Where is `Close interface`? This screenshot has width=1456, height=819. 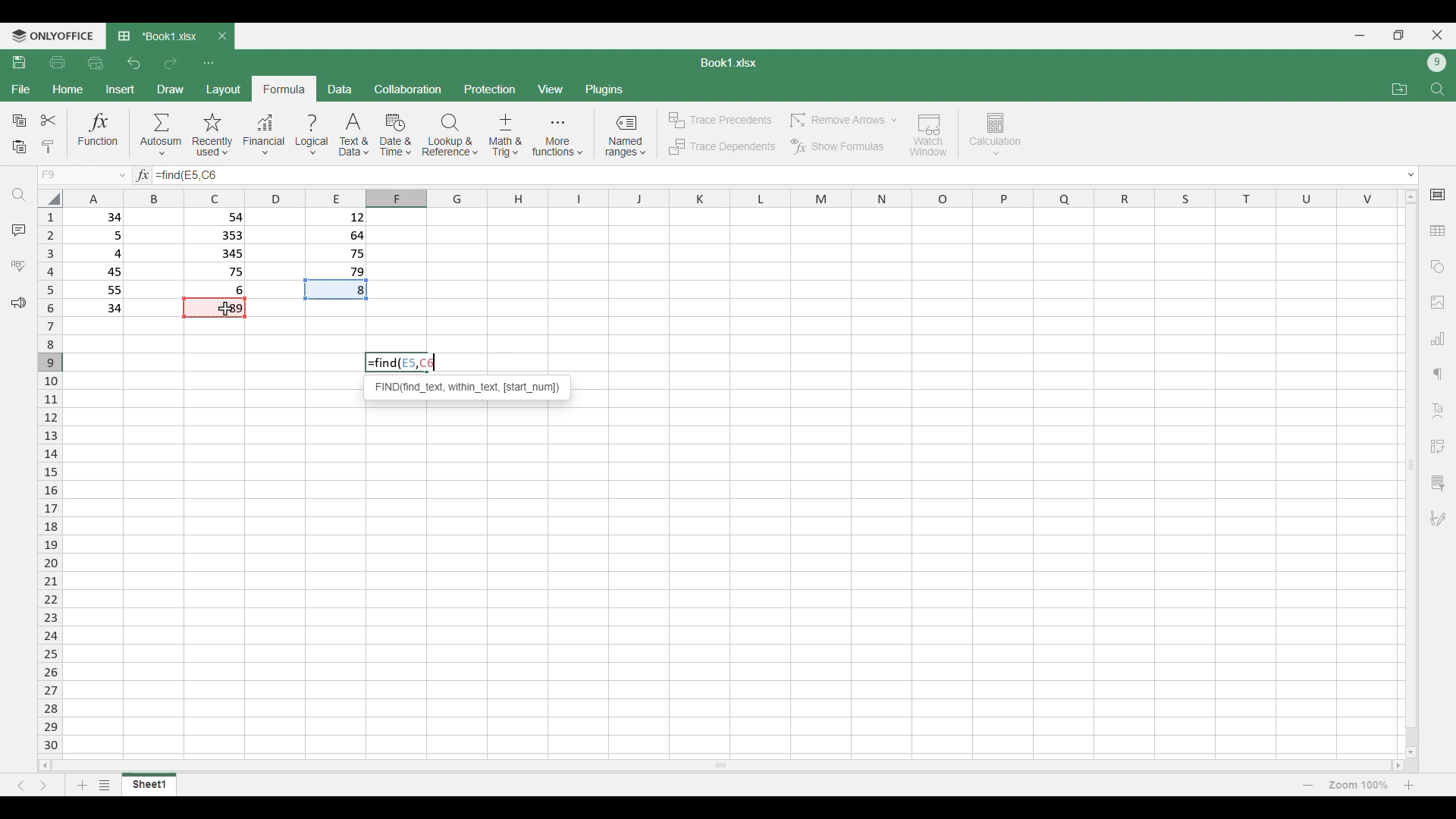
Close interface is located at coordinates (1438, 35).